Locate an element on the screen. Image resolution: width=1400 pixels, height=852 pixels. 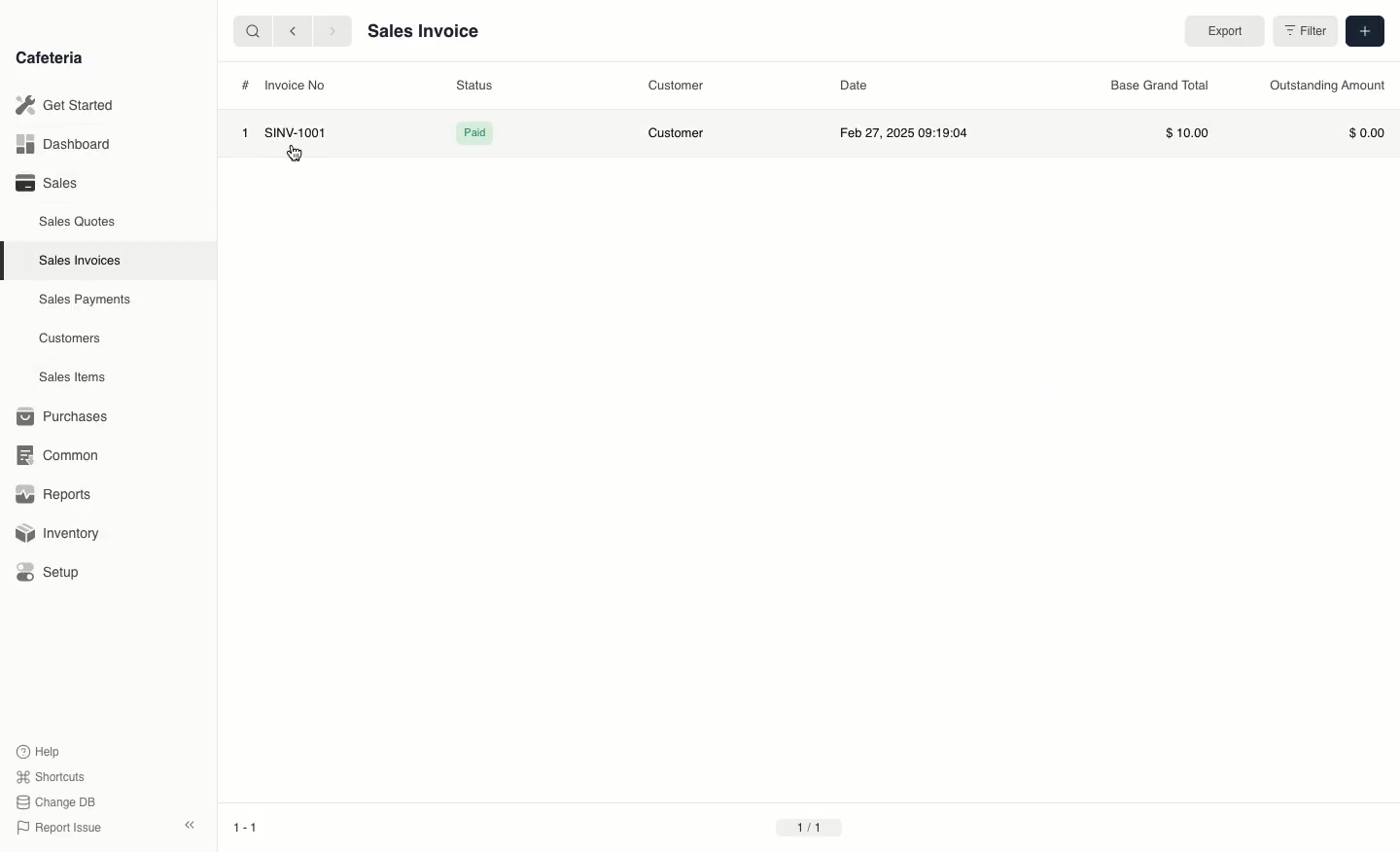
Cafeteria is located at coordinates (49, 58).